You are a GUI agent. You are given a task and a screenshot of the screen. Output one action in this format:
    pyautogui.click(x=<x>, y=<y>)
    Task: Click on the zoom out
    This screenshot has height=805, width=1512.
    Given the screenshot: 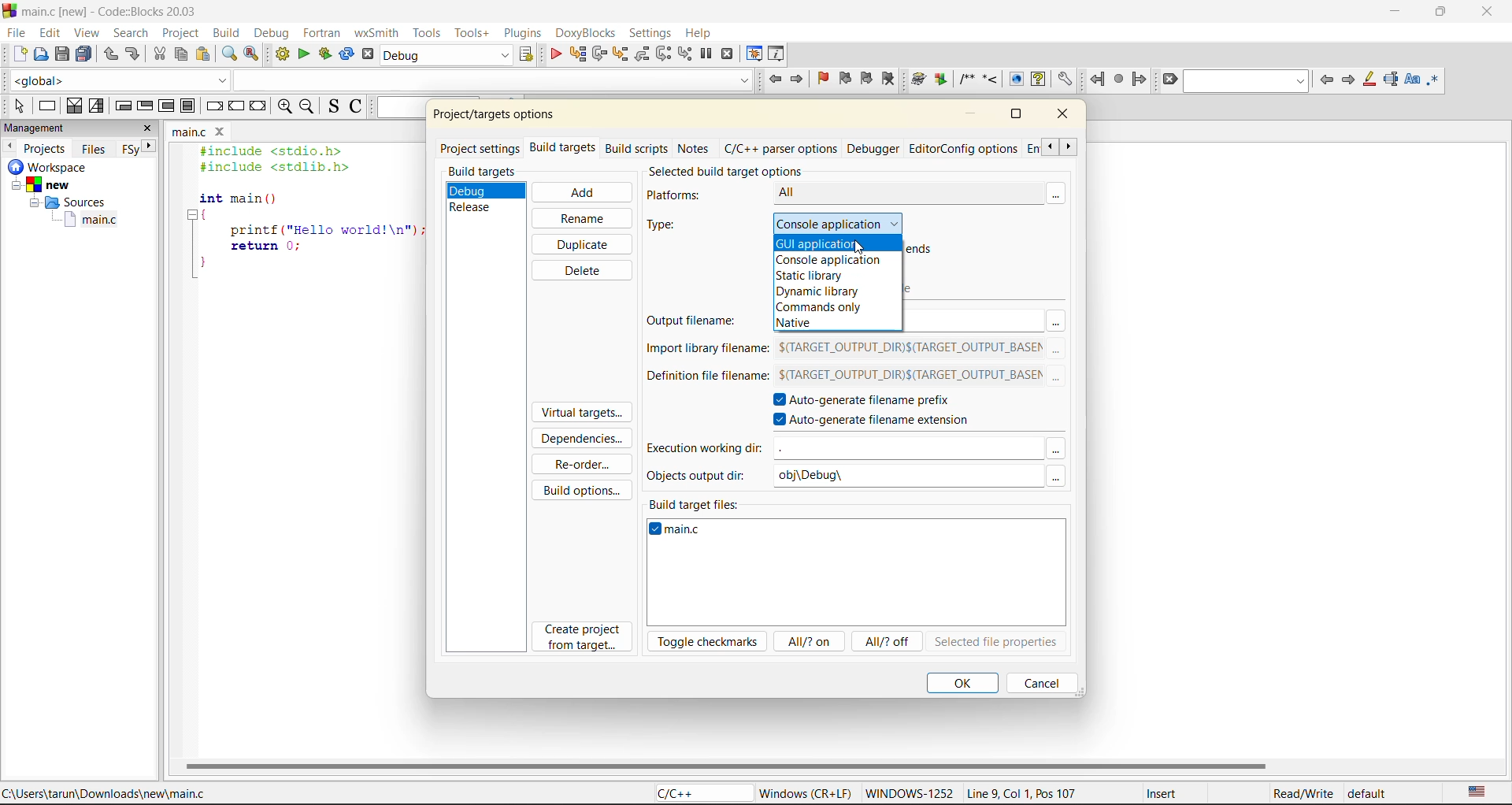 What is the action you would take?
    pyautogui.click(x=311, y=107)
    